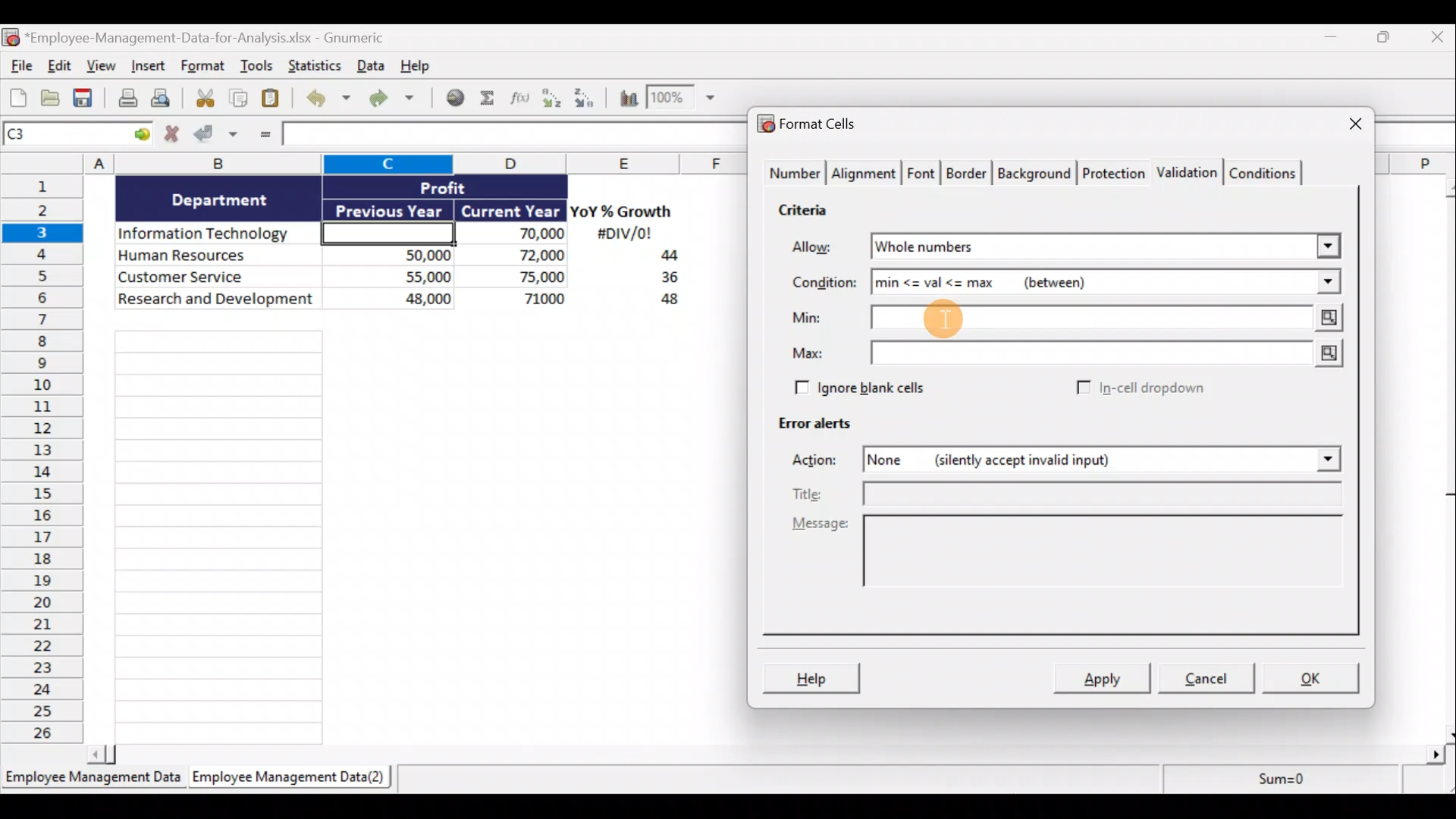  I want to click on Scroll bar, so click(771, 752).